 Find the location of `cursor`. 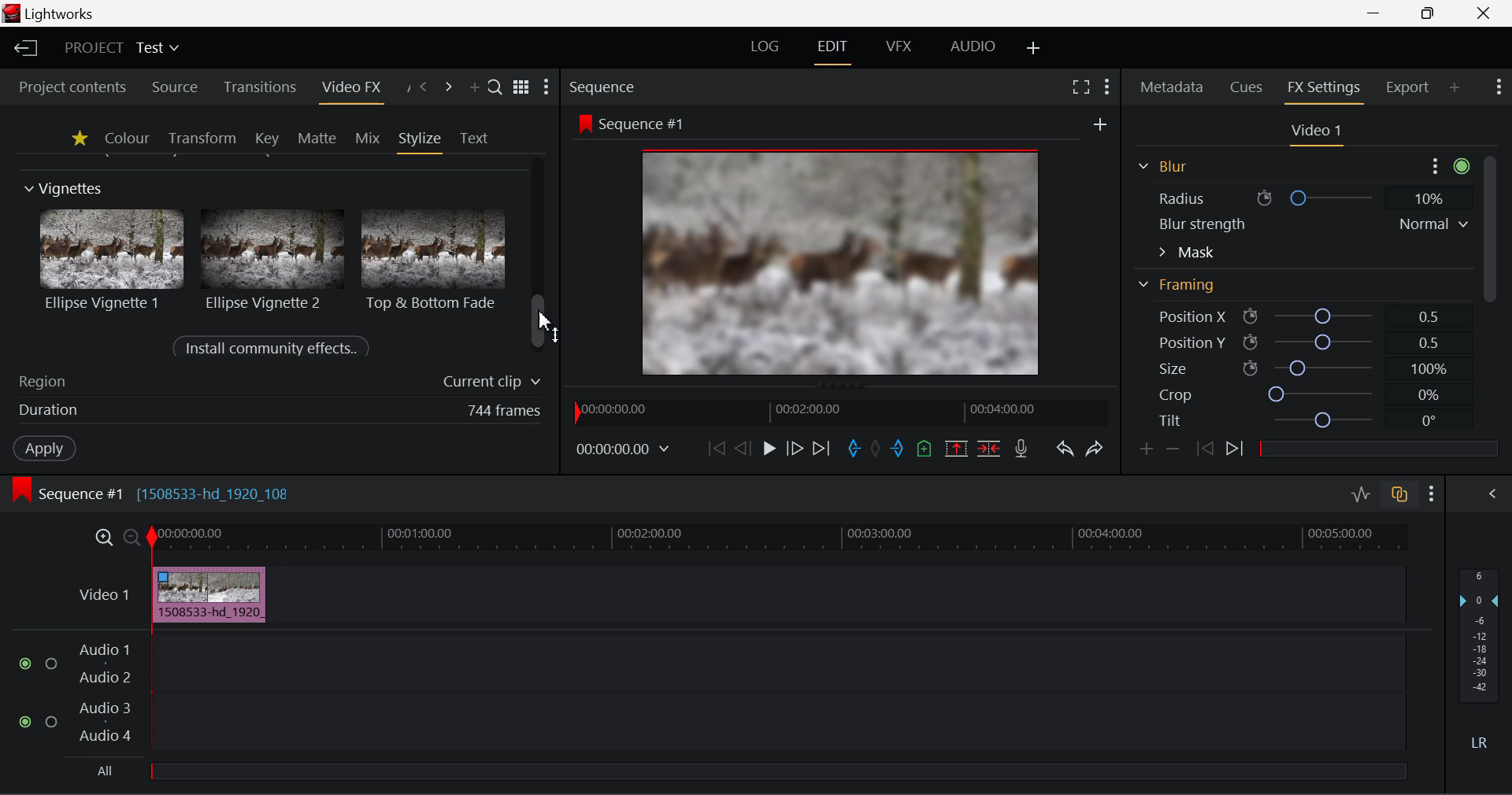

cursor is located at coordinates (189, 592).